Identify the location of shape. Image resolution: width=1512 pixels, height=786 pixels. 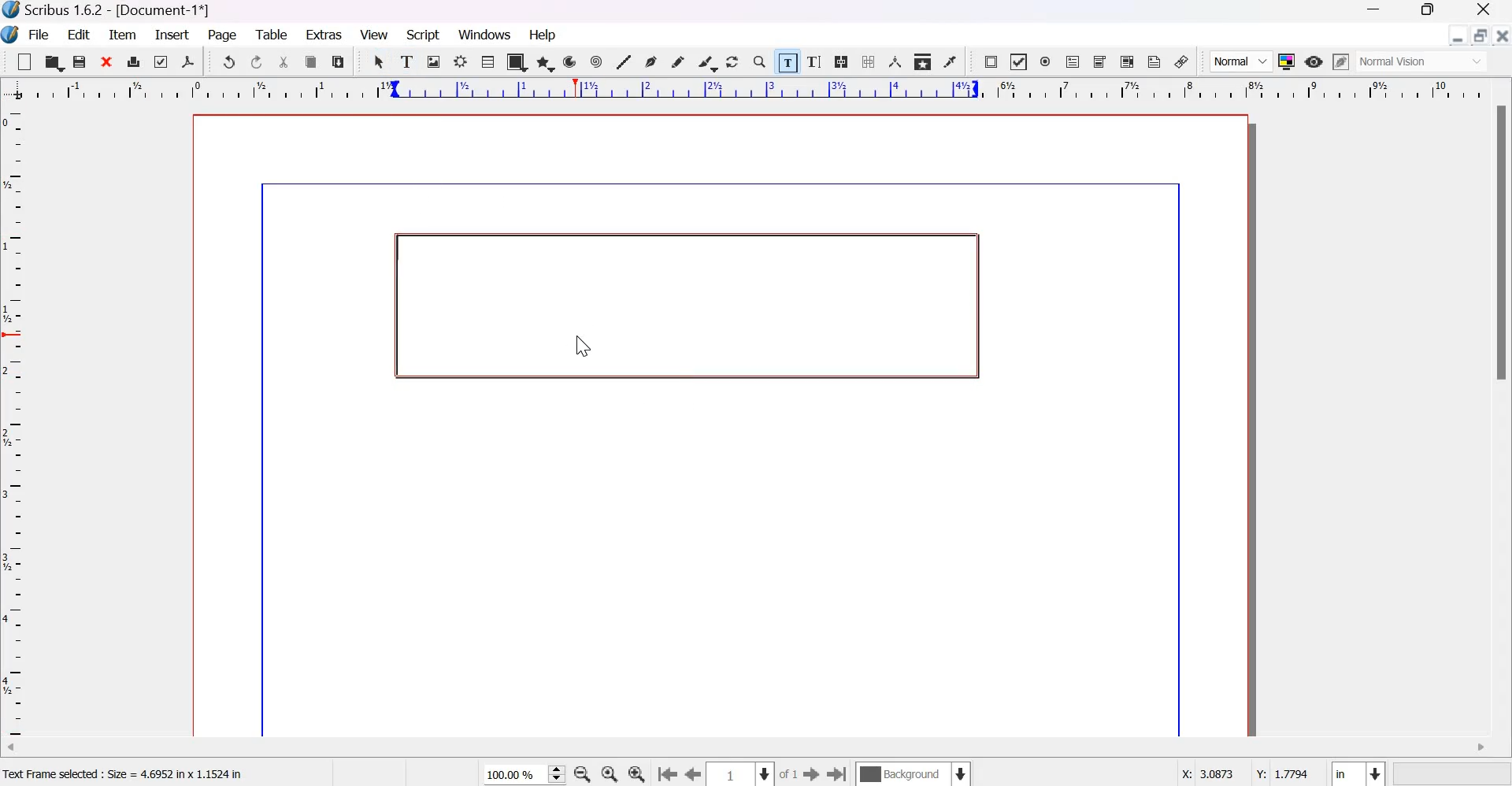
(517, 61).